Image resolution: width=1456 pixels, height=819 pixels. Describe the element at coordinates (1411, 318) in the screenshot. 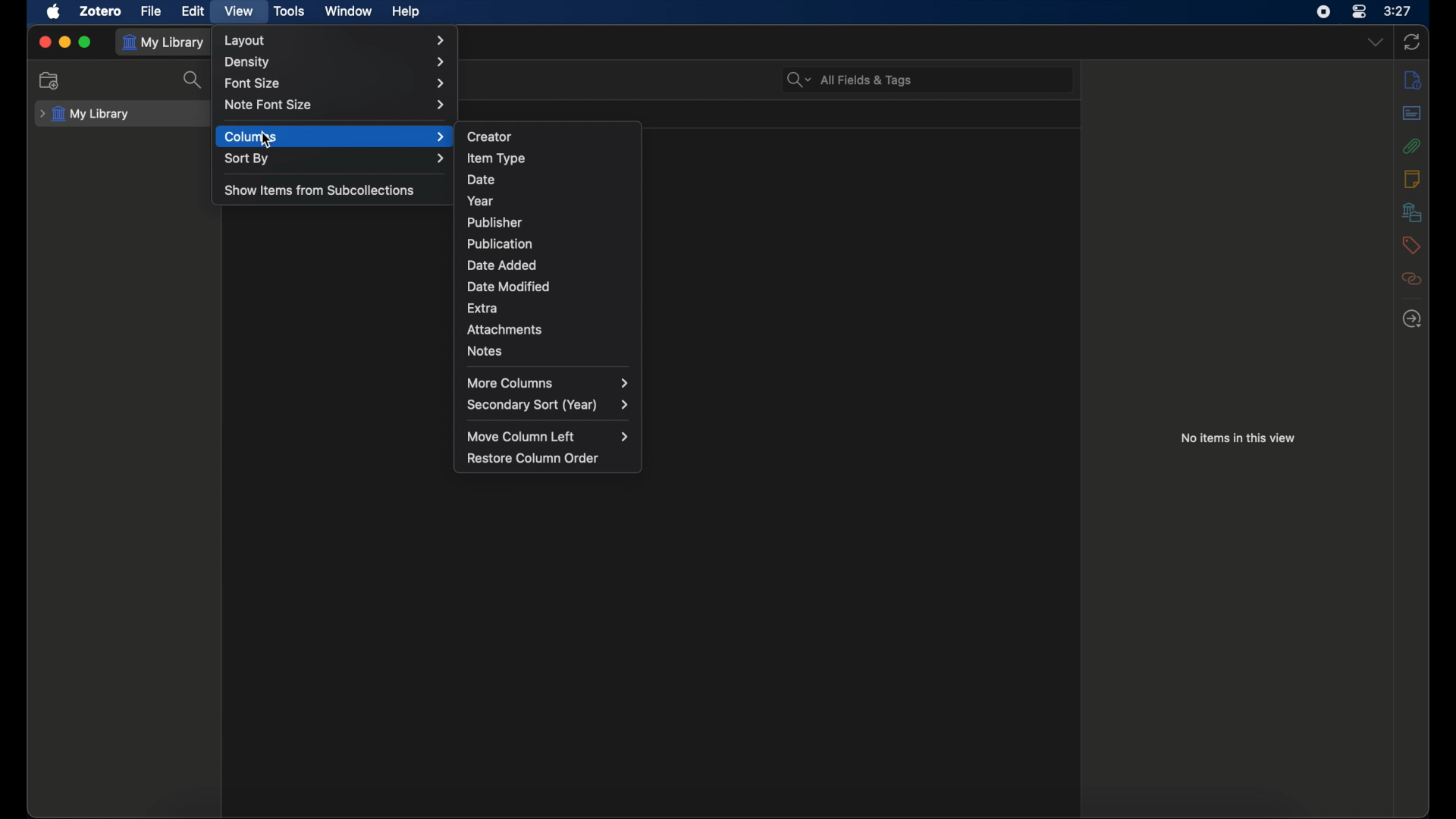

I see `locate` at that location.